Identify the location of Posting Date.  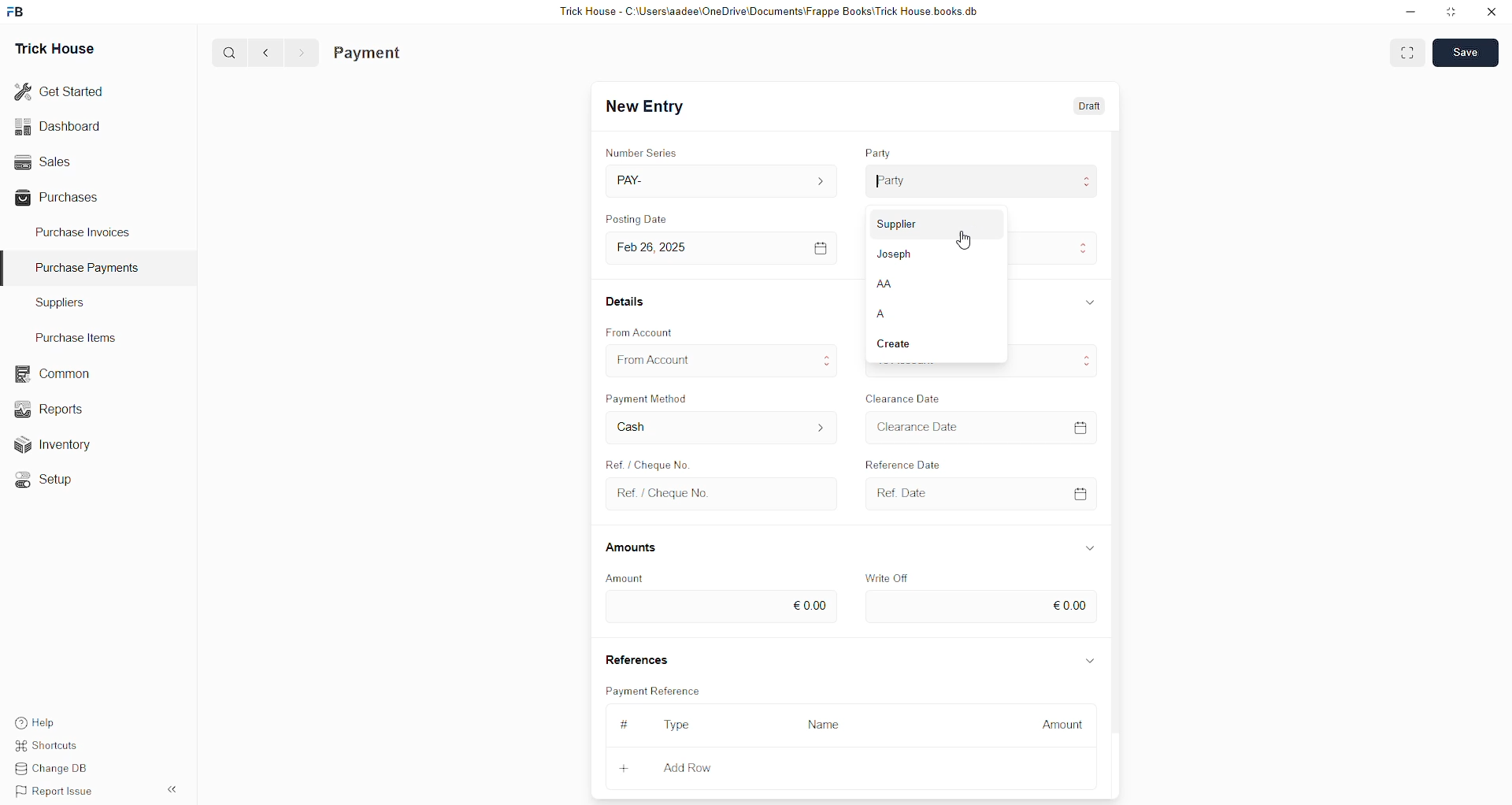
(648, 217).